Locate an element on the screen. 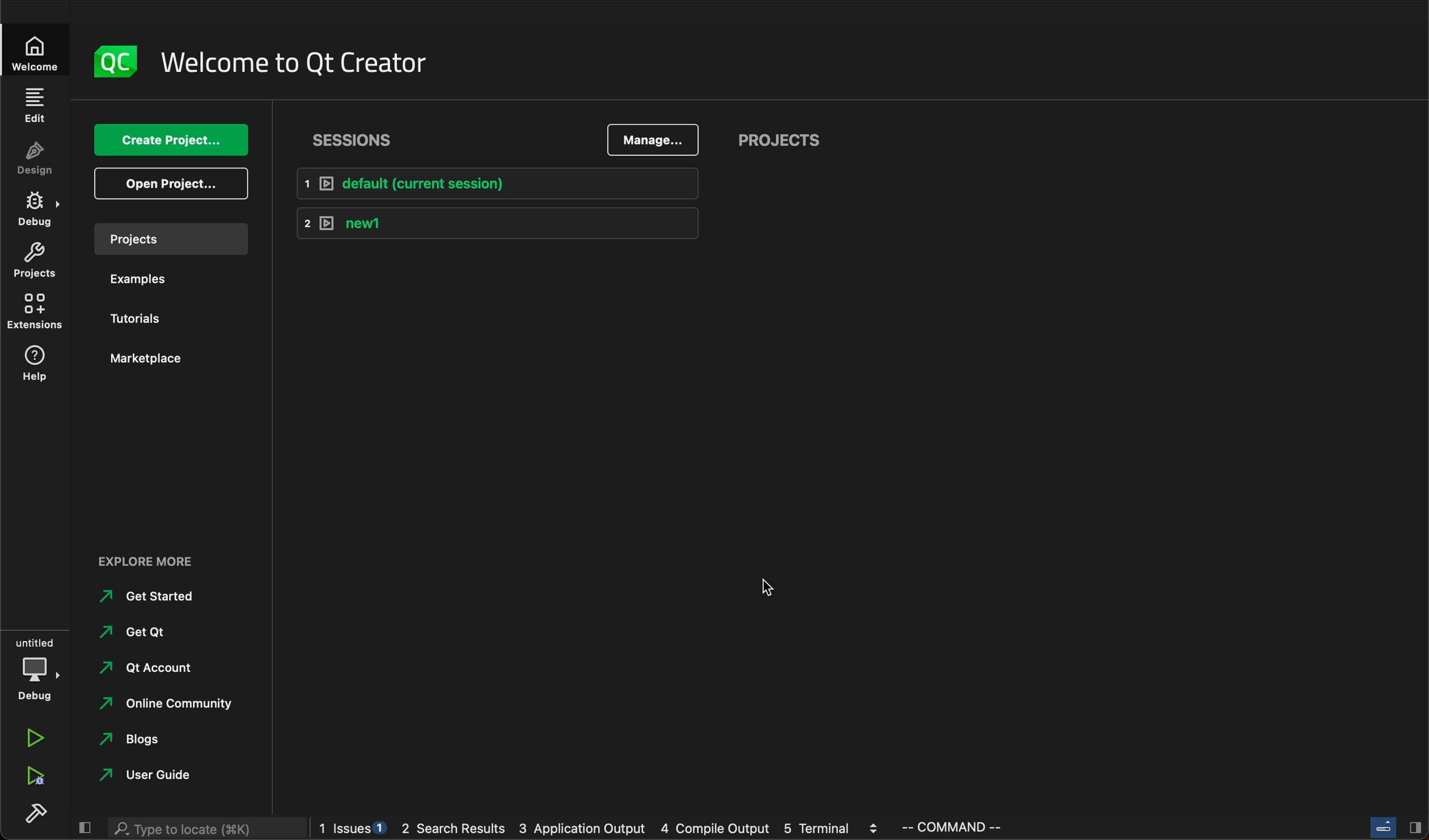 The width and height of the screenshot is (1429, 840). welcome is located at coordinates (298, 62).